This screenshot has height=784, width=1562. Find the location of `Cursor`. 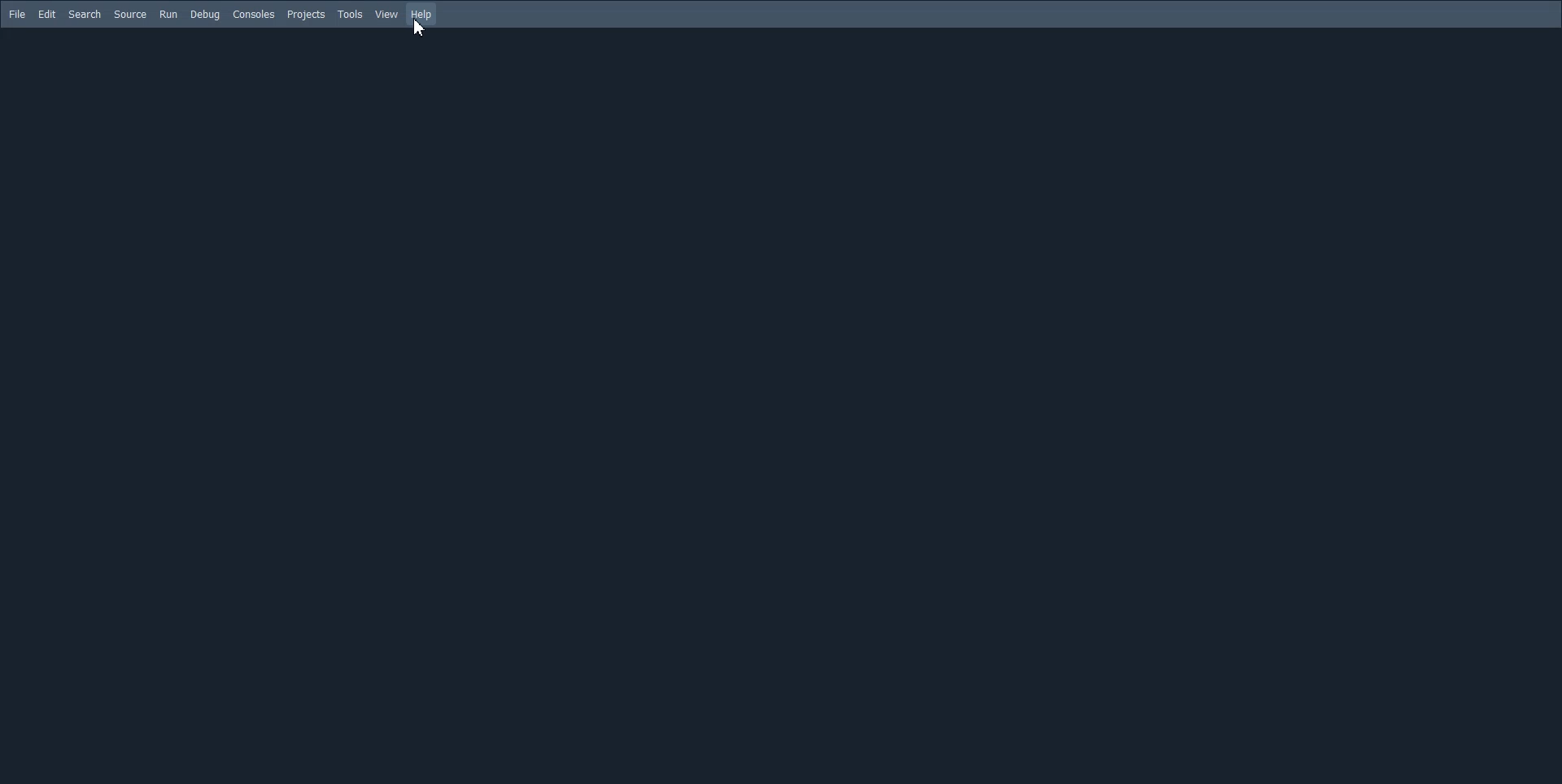

Cursor is located at coordinates (418, 28).